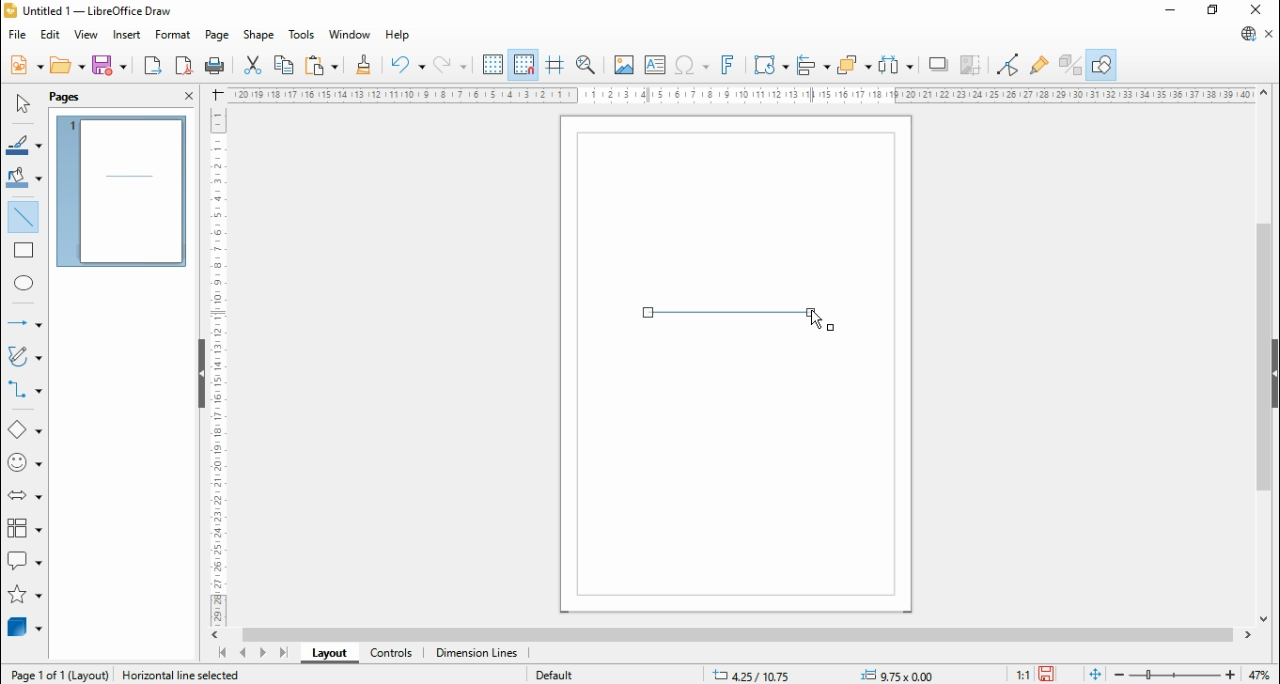 The image size is (1280, 684). I want to click on curves and polygons, so click(26, 355).